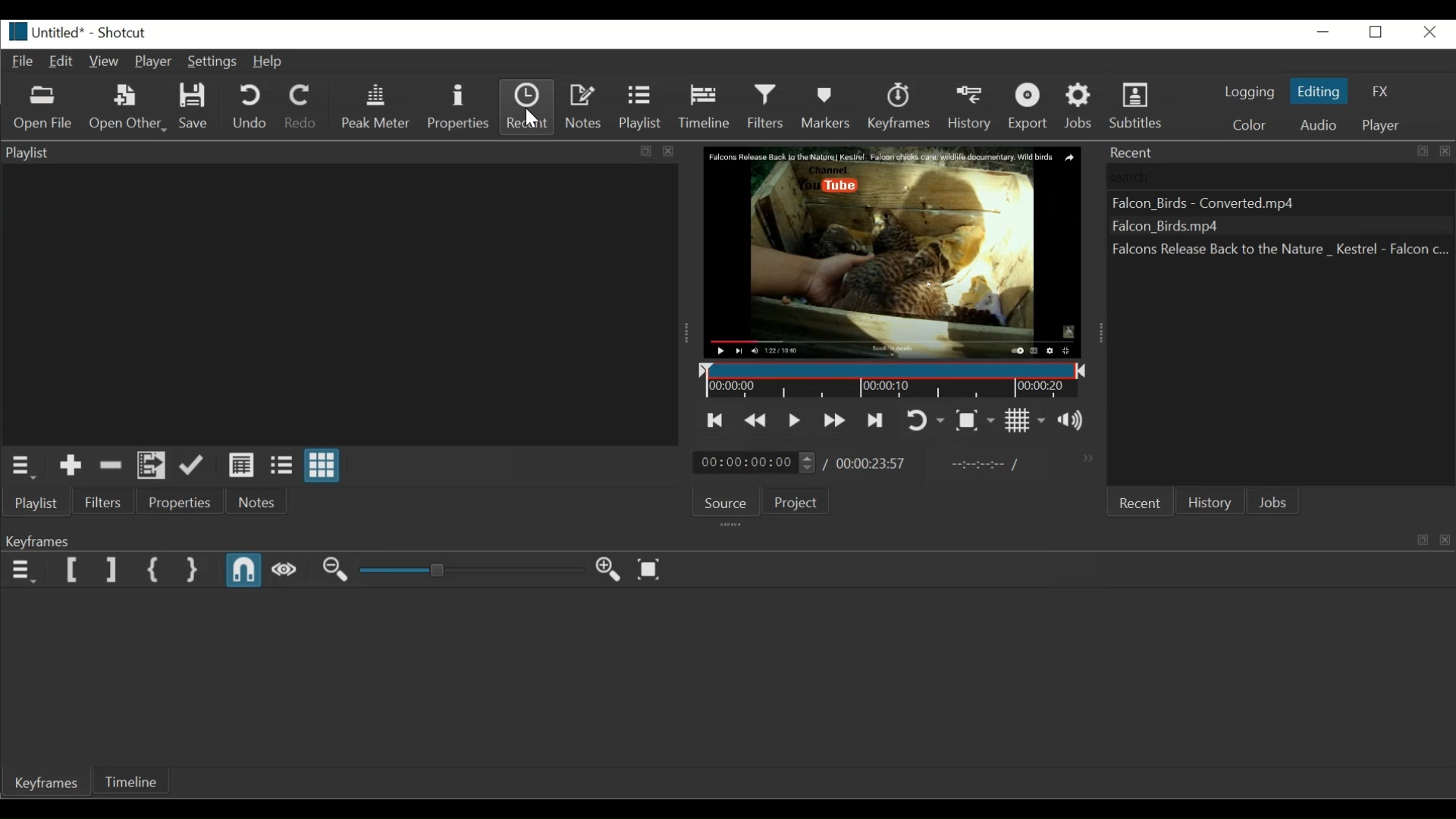 Image resolution: width=1456 pixels, height=819 pixels. I want to click on Keyframe, so click(726, 541).